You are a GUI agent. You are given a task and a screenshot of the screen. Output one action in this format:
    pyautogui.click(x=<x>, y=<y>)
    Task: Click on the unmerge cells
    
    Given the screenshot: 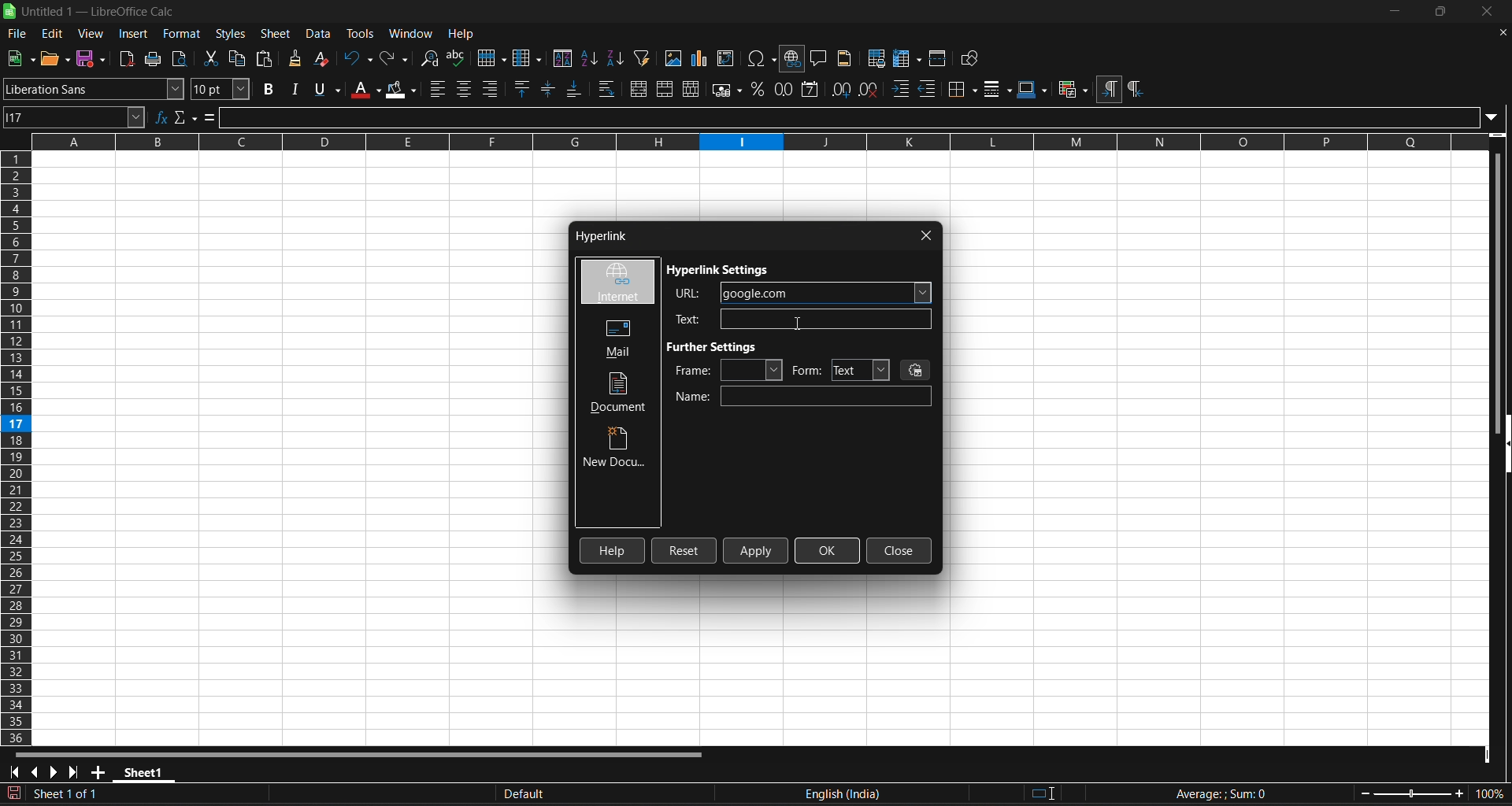 What is the action you would take?
    pyautogui.click(x=692, y=89)
    